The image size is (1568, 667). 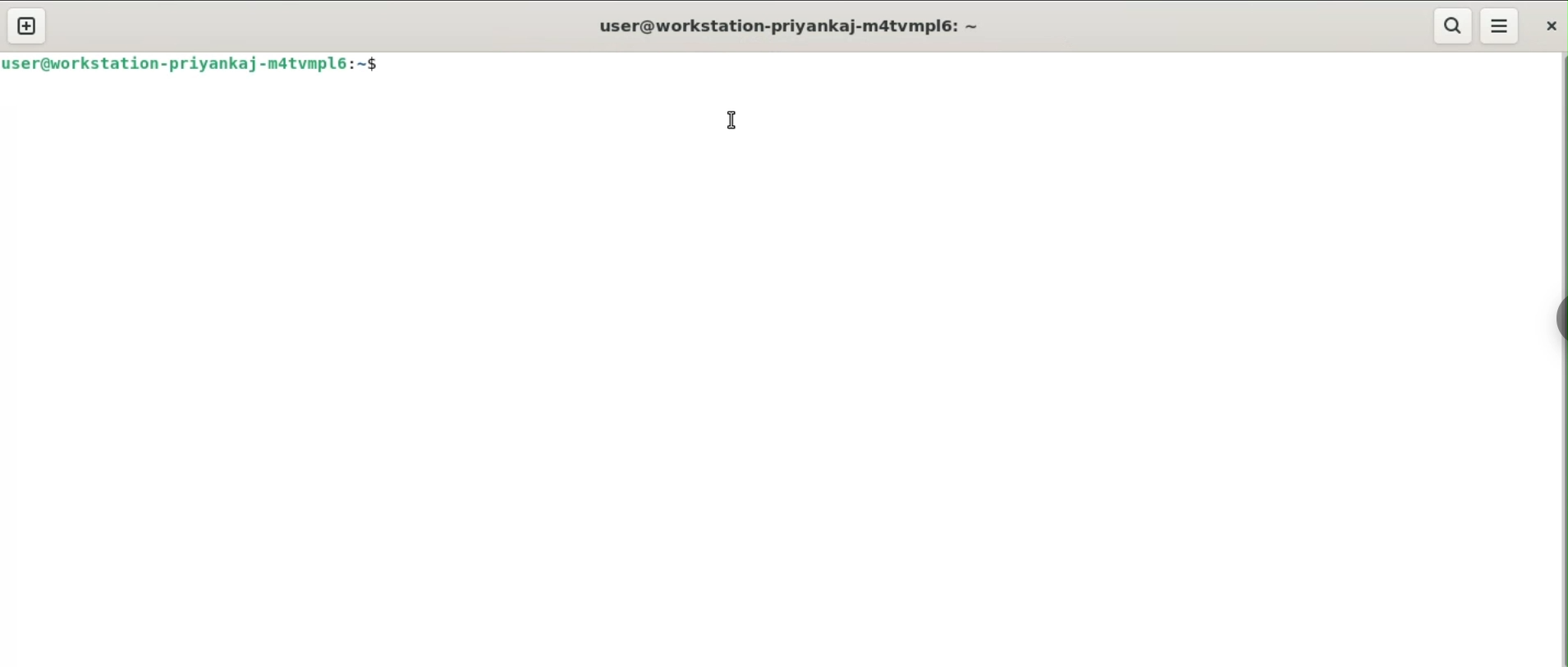 What do you see at coordinates (1499, 25) in the screenshot?
I see `menu` at bounding box center [1499, 25].